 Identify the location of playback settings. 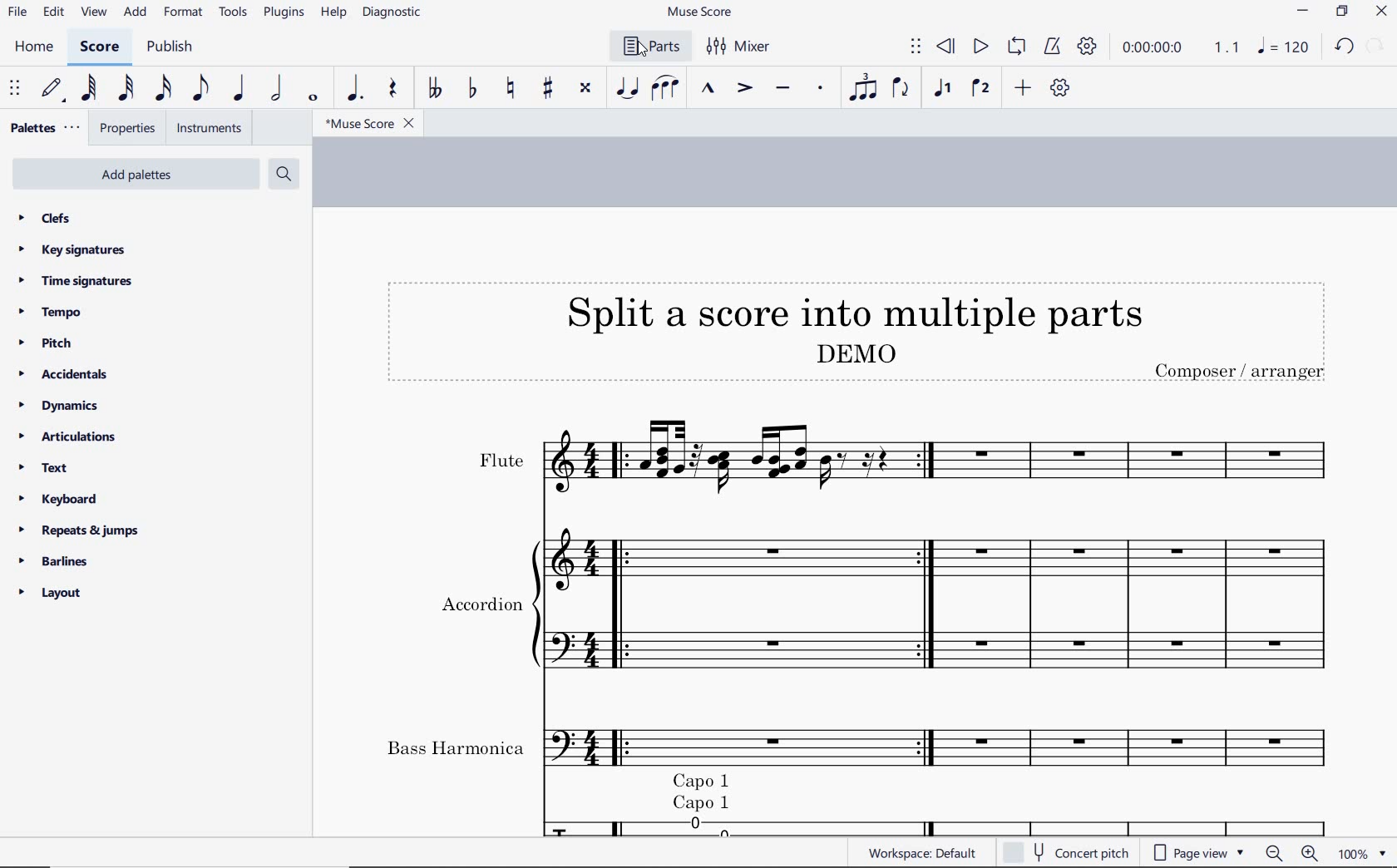
(1087, 45).